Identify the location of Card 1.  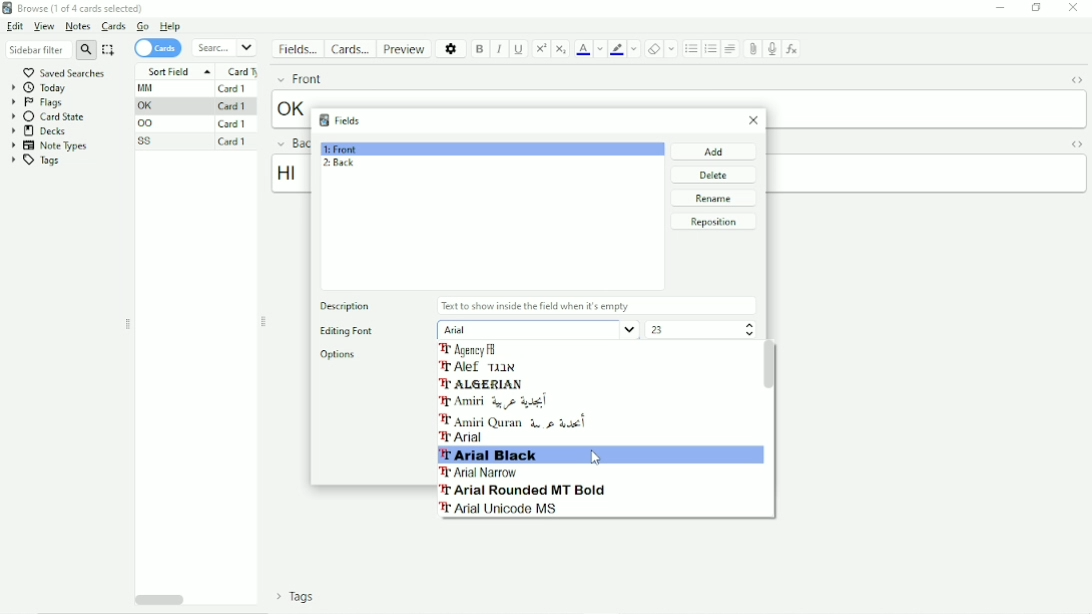
(234, 88).